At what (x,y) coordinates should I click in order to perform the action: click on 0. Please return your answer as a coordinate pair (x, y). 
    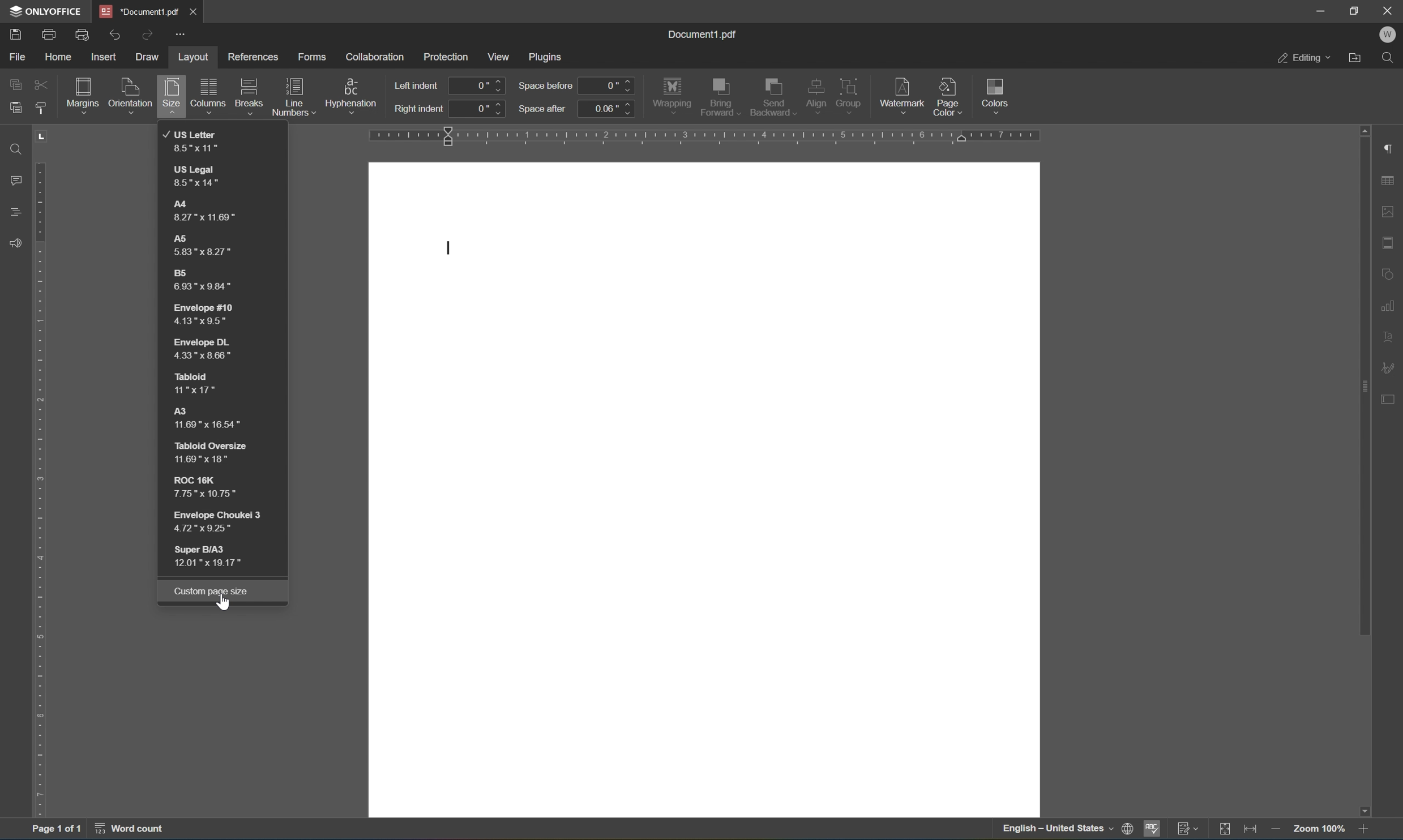
    Looking at the image, I should click on (480, 108).